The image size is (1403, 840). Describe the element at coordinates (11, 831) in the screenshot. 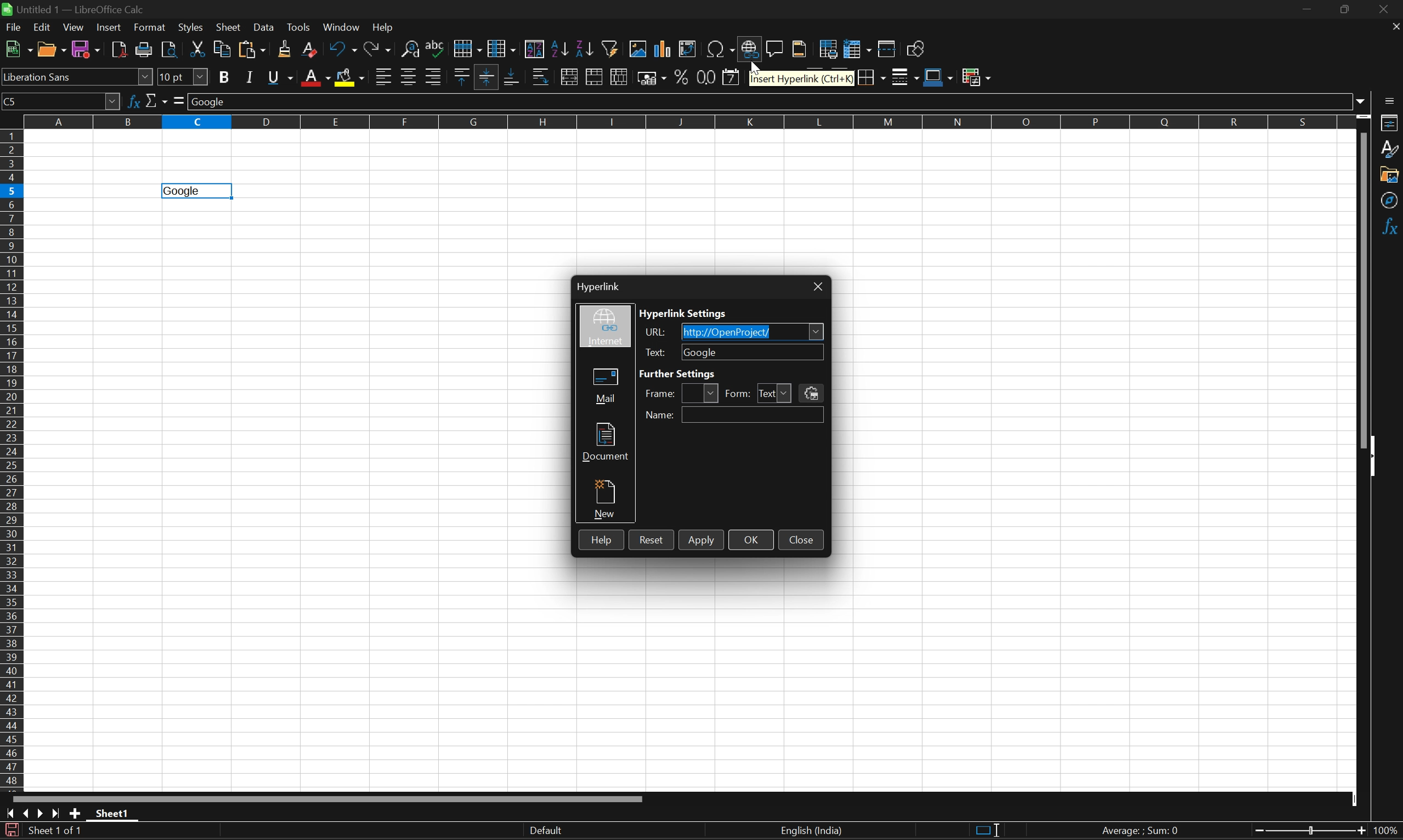

I see `The document has been modified. Click to save the document.` at that location.